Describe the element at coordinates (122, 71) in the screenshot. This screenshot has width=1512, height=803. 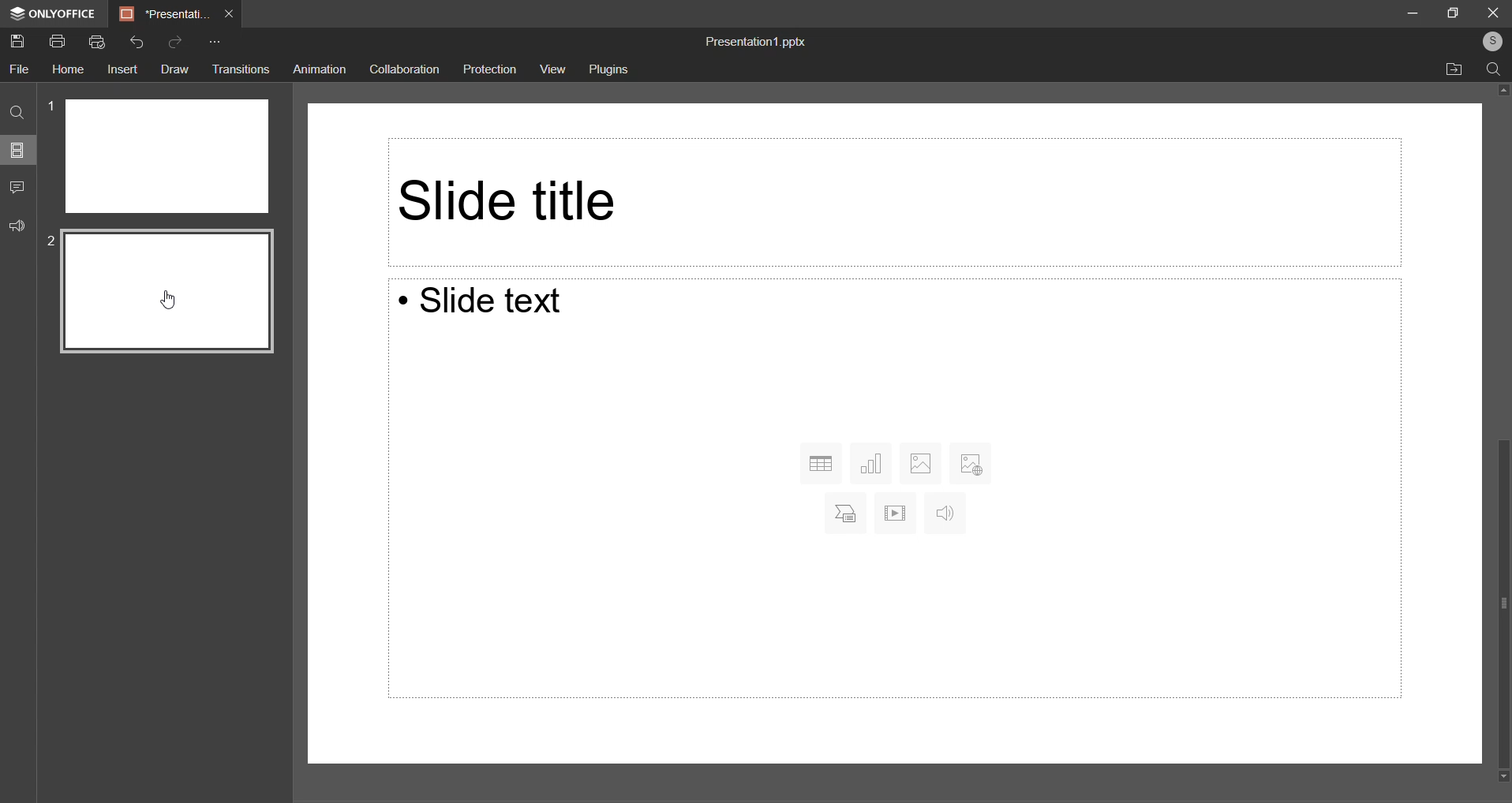
I see `Insert` at that location.